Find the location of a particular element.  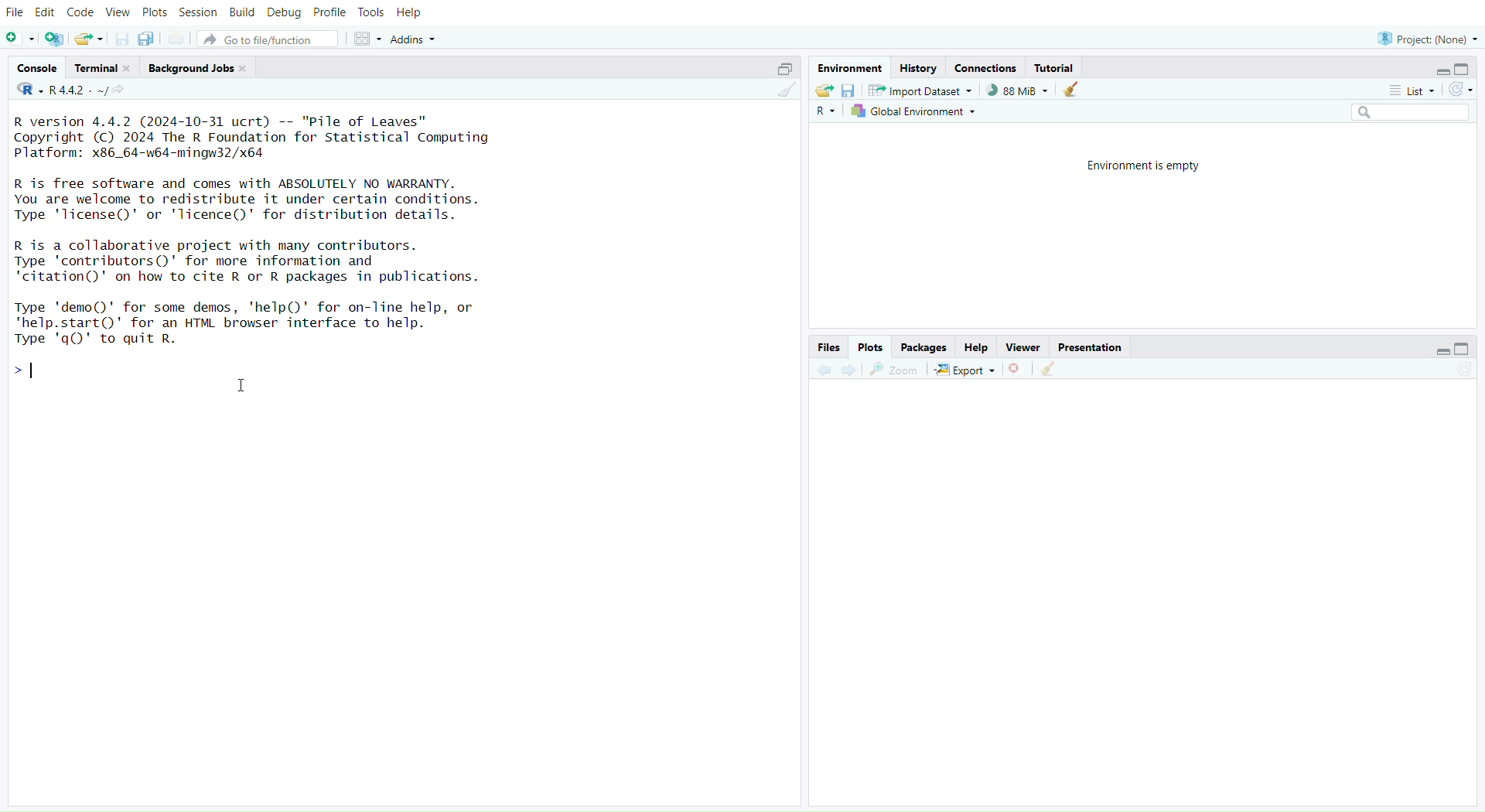

cursor is located at coordinates (241, 387).